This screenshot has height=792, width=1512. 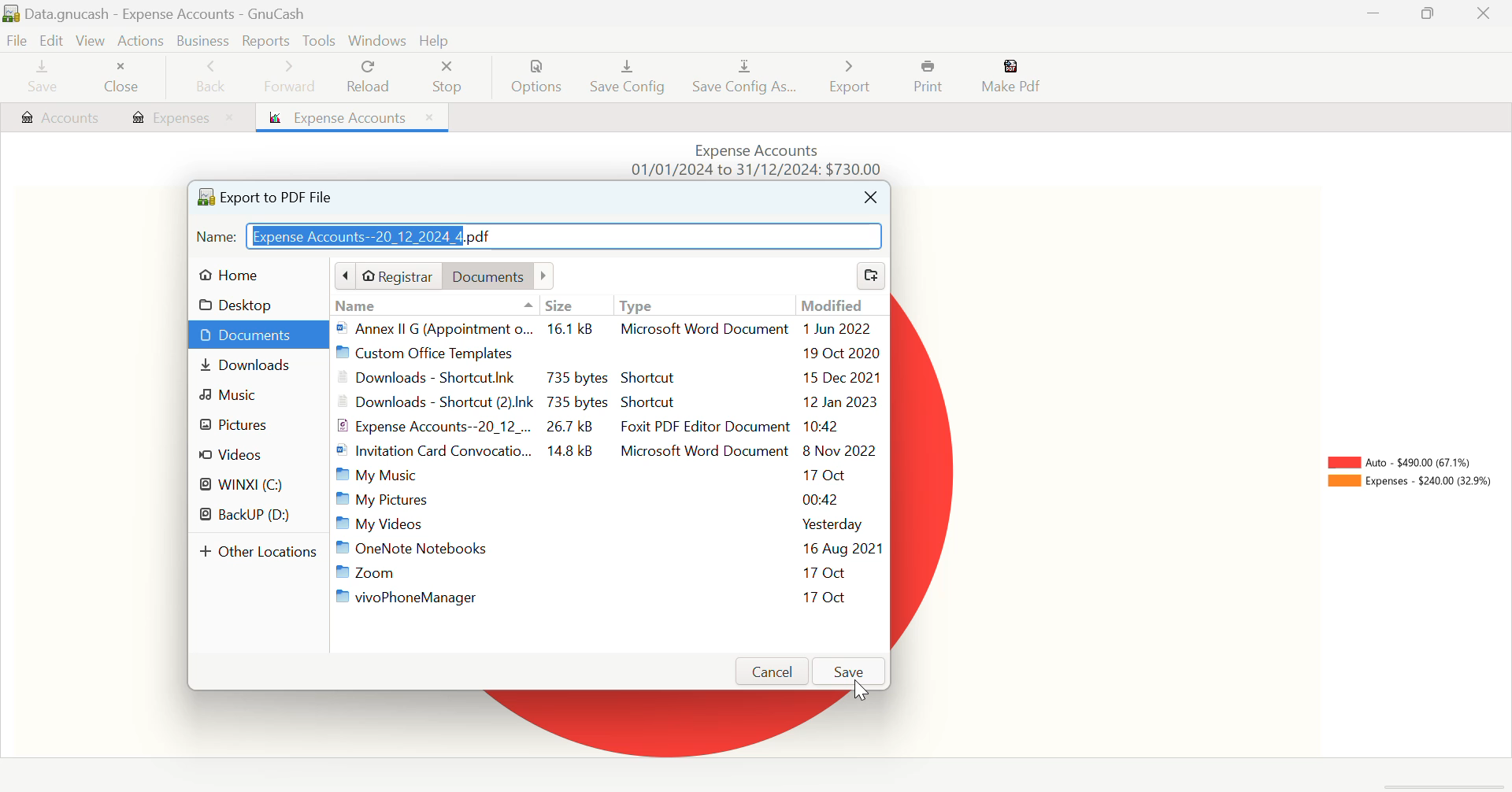 What do you see at coordinates (608, 305) in the screenshot?
I see `File Details Column Headings` at bounding box center [608, 305].